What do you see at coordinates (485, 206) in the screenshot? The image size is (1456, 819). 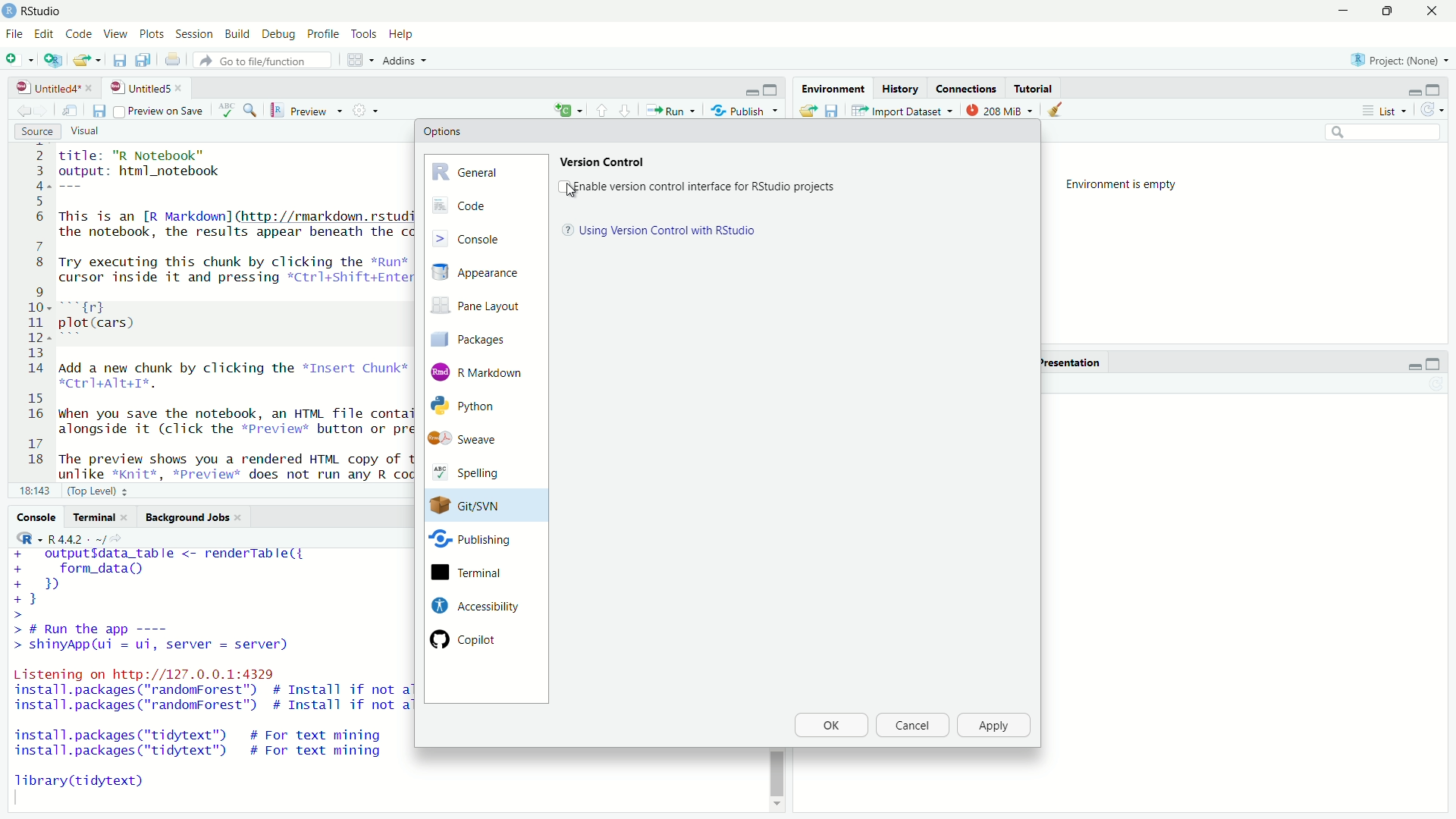 I see `Code` at bounding box center [485, 206].